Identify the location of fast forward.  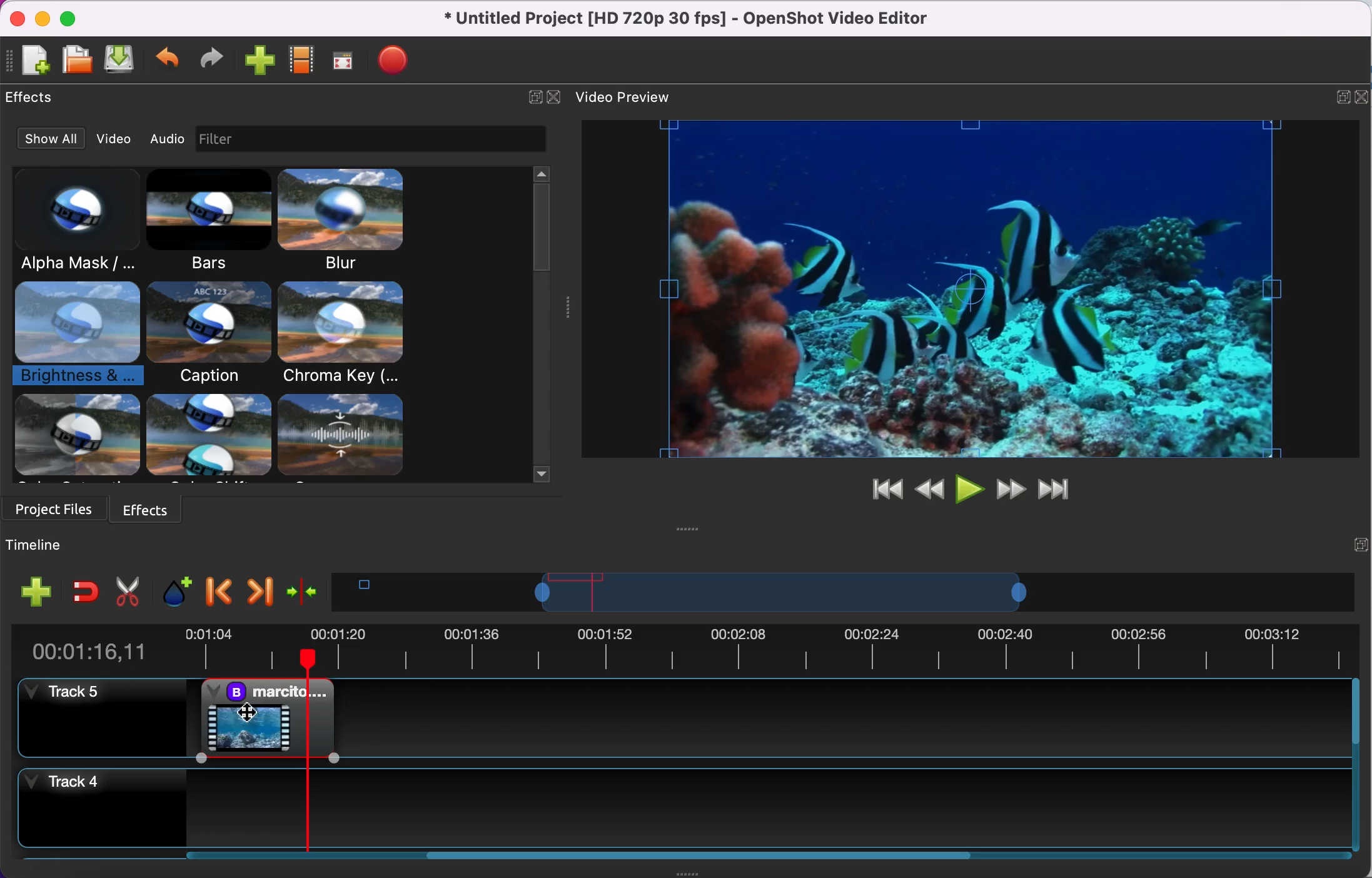
(1009, 489).